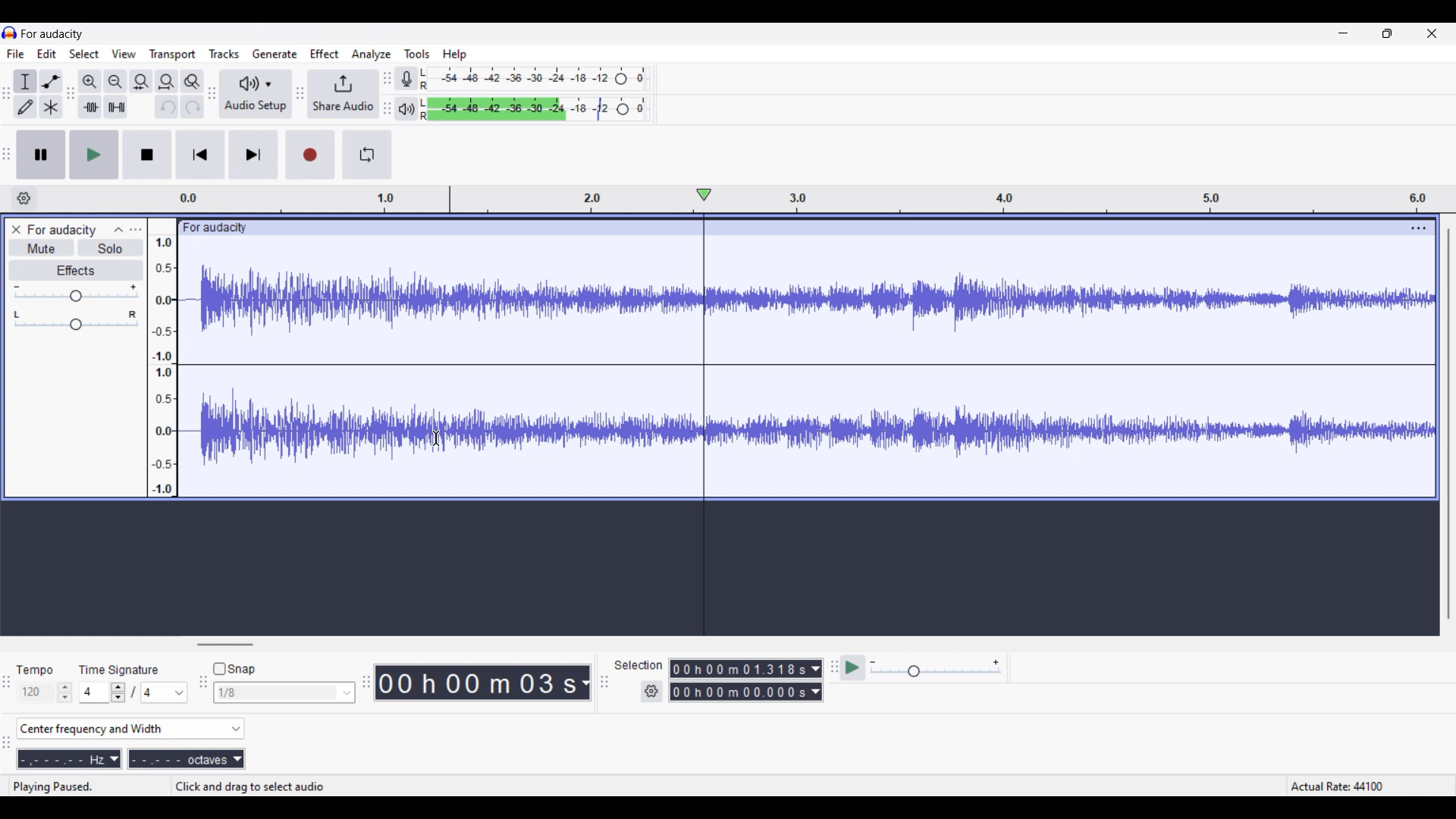 The width and height of the screenshot is (1456, 819). What do you see at coordinates (136, 230) in the screenshot?
I see `Open menu` at bounding box center [136, 230].